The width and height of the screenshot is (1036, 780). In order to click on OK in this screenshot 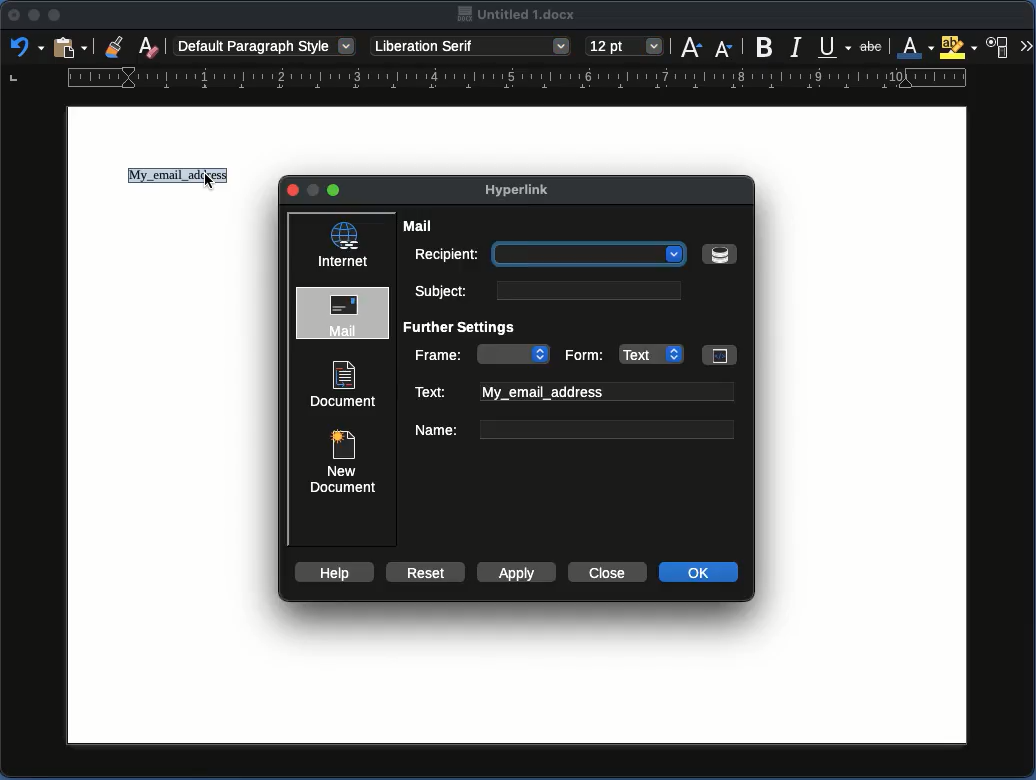, I will do `click(700, 572)`.